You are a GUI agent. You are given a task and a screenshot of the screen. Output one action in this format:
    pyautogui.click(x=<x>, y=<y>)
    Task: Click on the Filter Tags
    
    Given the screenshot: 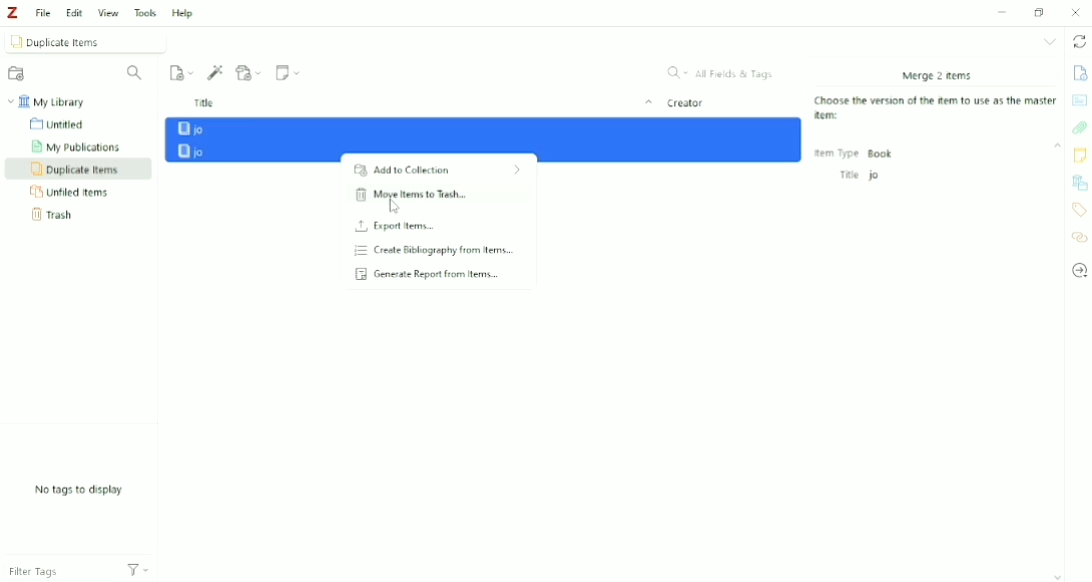 What is the action you would take?
    pyautogui.click(x=53, y=568)
    